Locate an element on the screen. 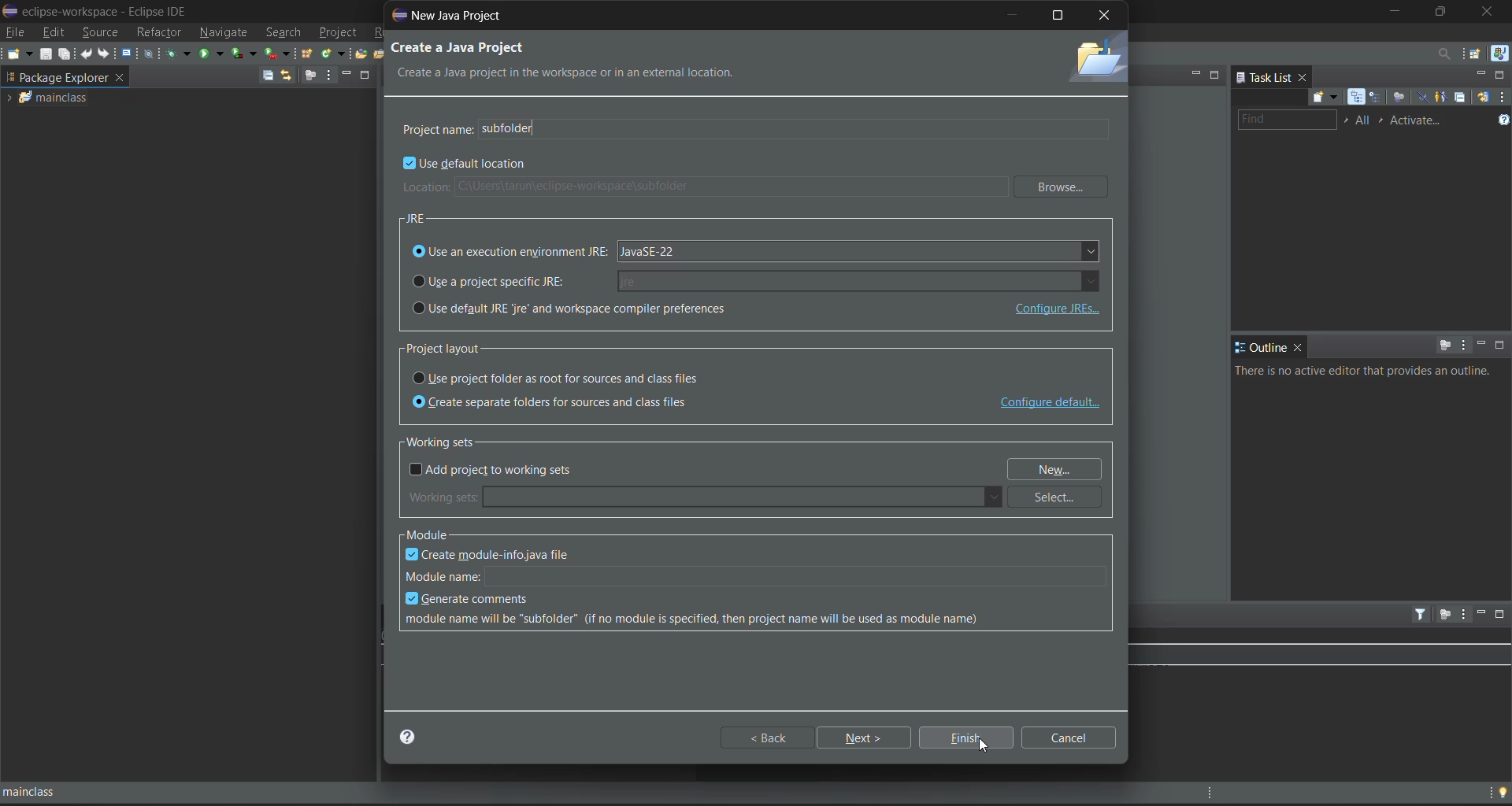 The width and height of the screenshot is (1512, 806). run last tool is located at coordinates (276, 53).